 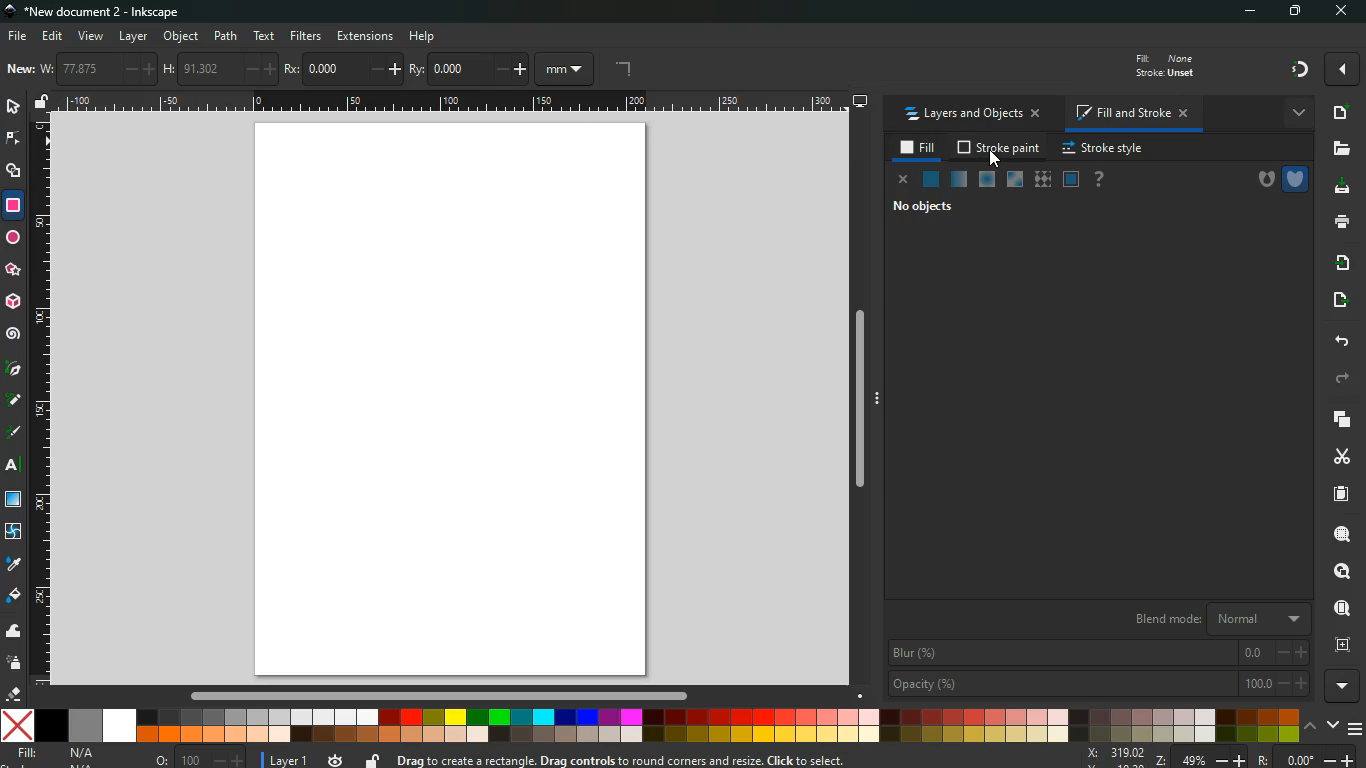 What do you see at coordinates (1337, 112) in the screenshot?
I see `new` at bounding box center [1337, 112].